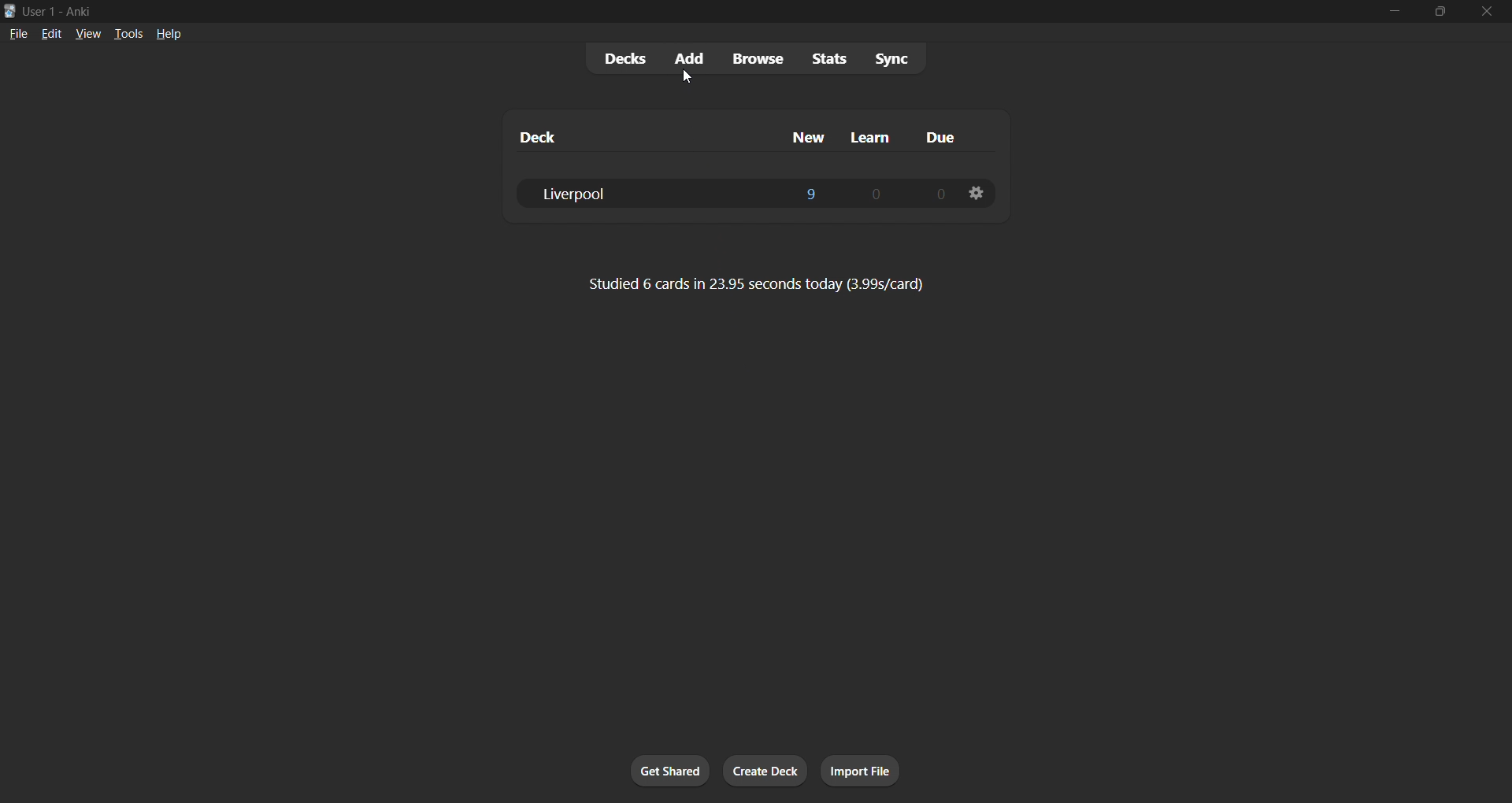 This screenshot has height=803, width=1512. Describe the element at coordinates (865, 772) in the screenshot. I see `import file` at that location.